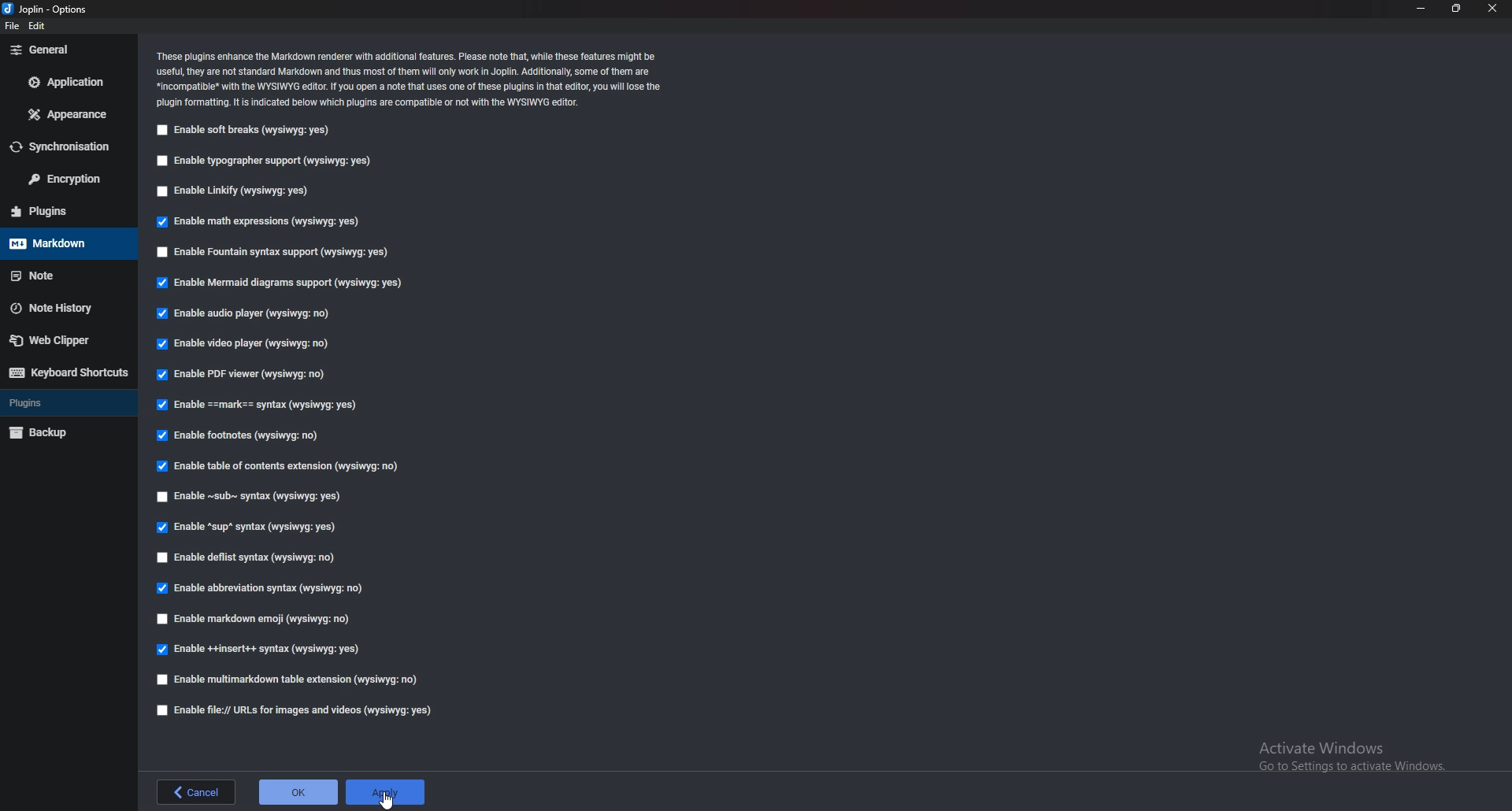  What do you see at coordinates (285, 680) in the screenshot?
I see `enable multi markdown table extension` at bounding box center [285, 680].